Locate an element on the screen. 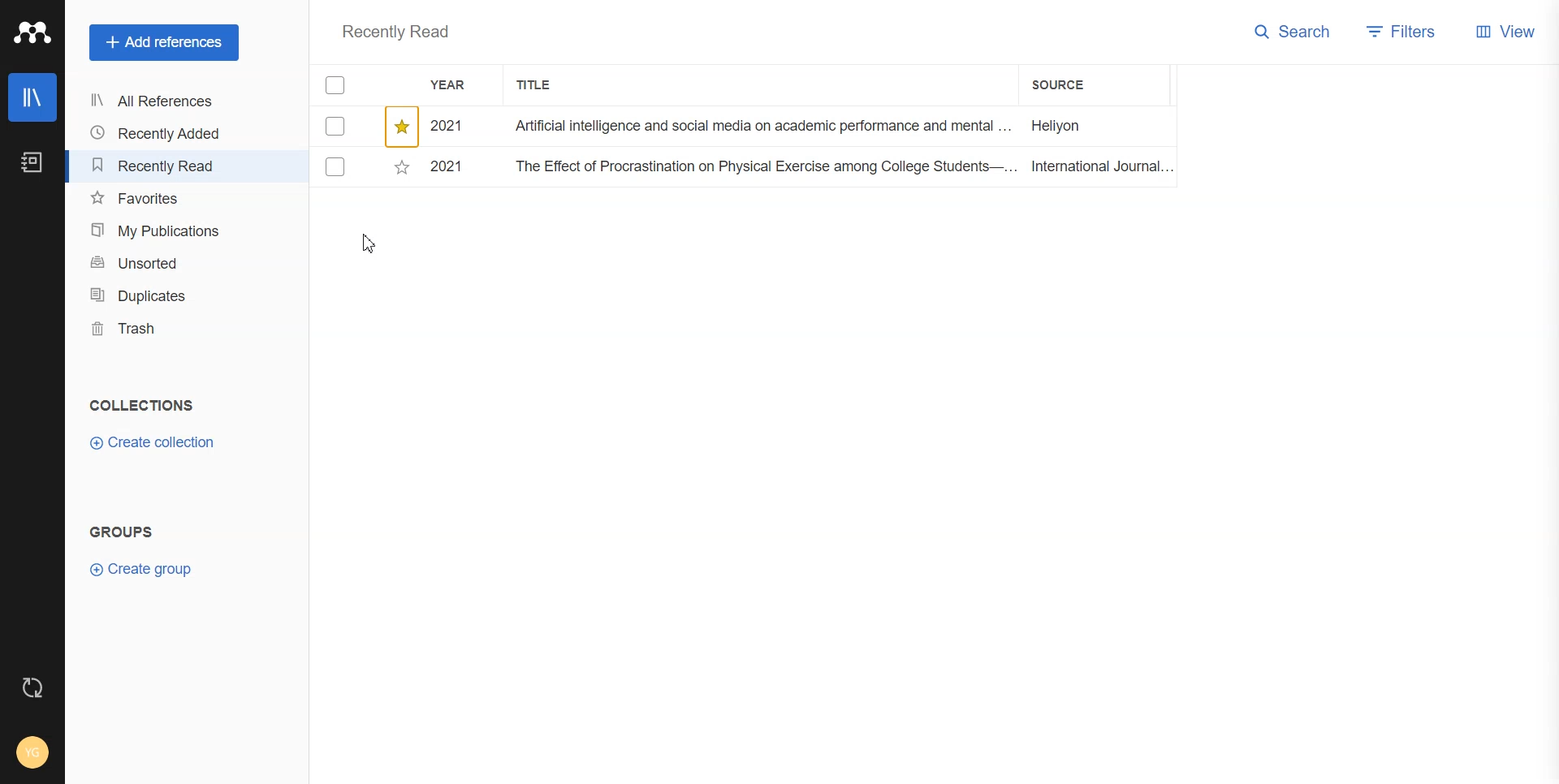  Library is located at coordinates (32, 97).